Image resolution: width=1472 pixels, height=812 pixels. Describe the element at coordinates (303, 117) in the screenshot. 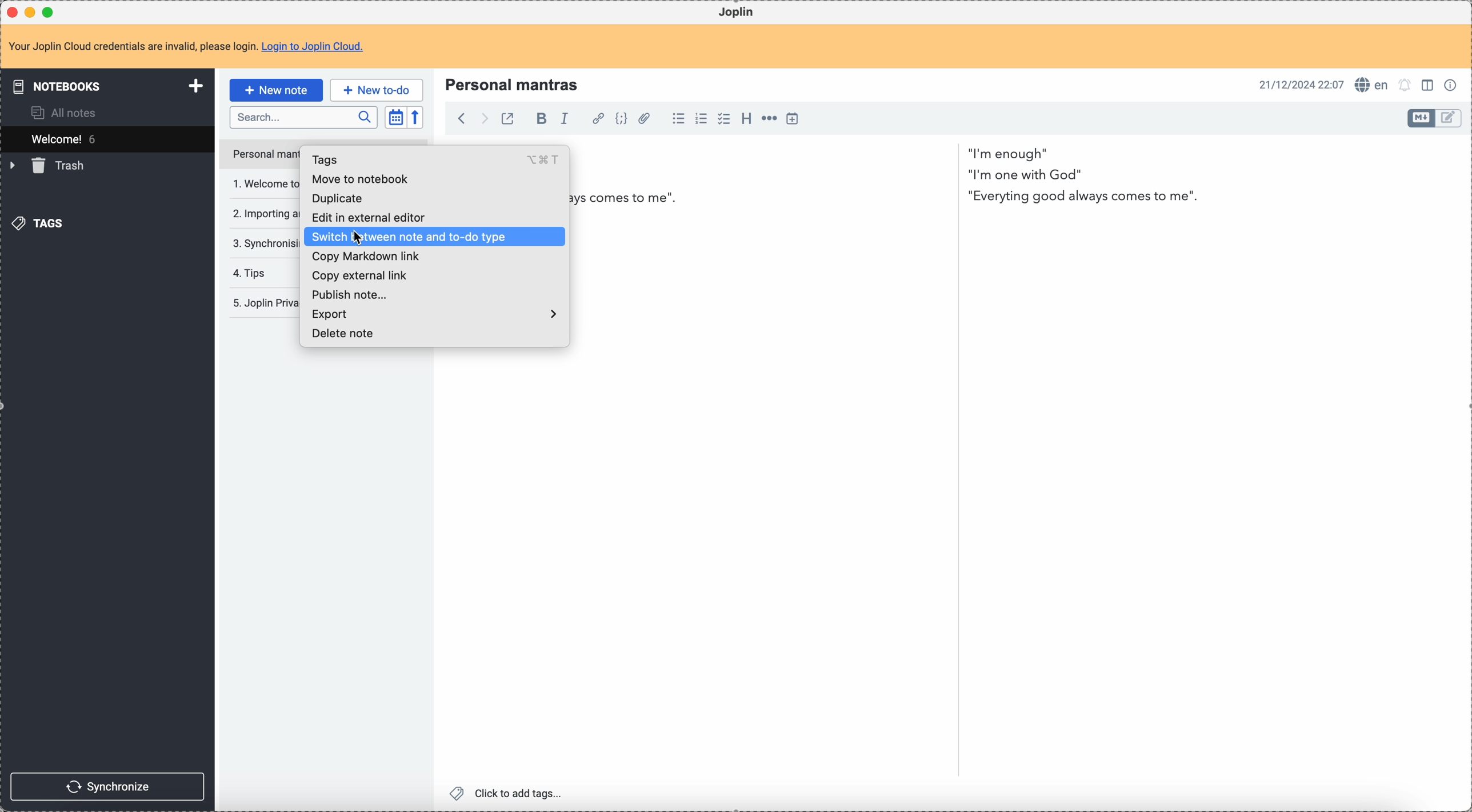

I see `search bar` at that location.